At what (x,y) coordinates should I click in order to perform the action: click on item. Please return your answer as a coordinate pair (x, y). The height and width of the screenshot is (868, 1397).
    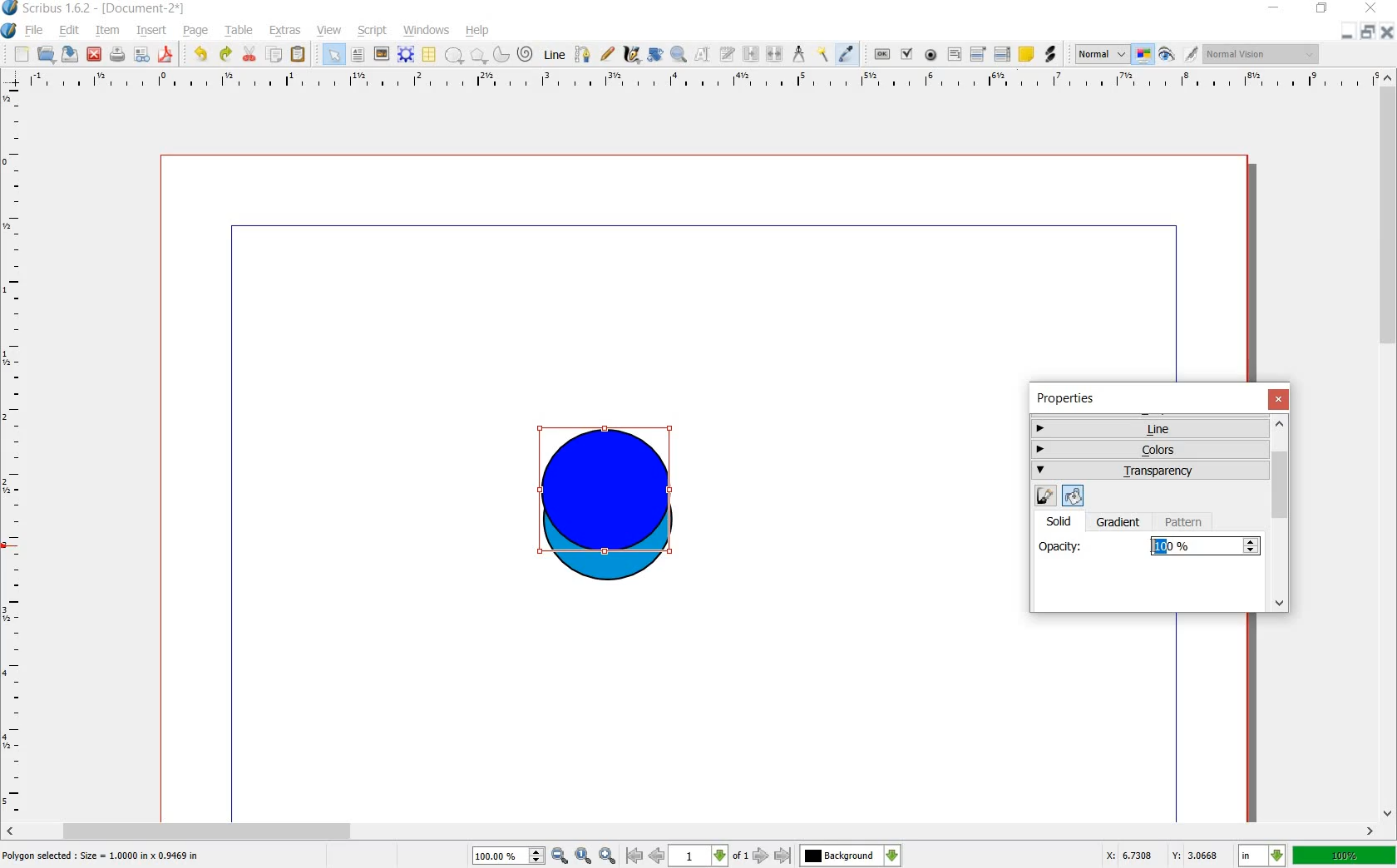
    Looking at the image, I should click on (108, 31).